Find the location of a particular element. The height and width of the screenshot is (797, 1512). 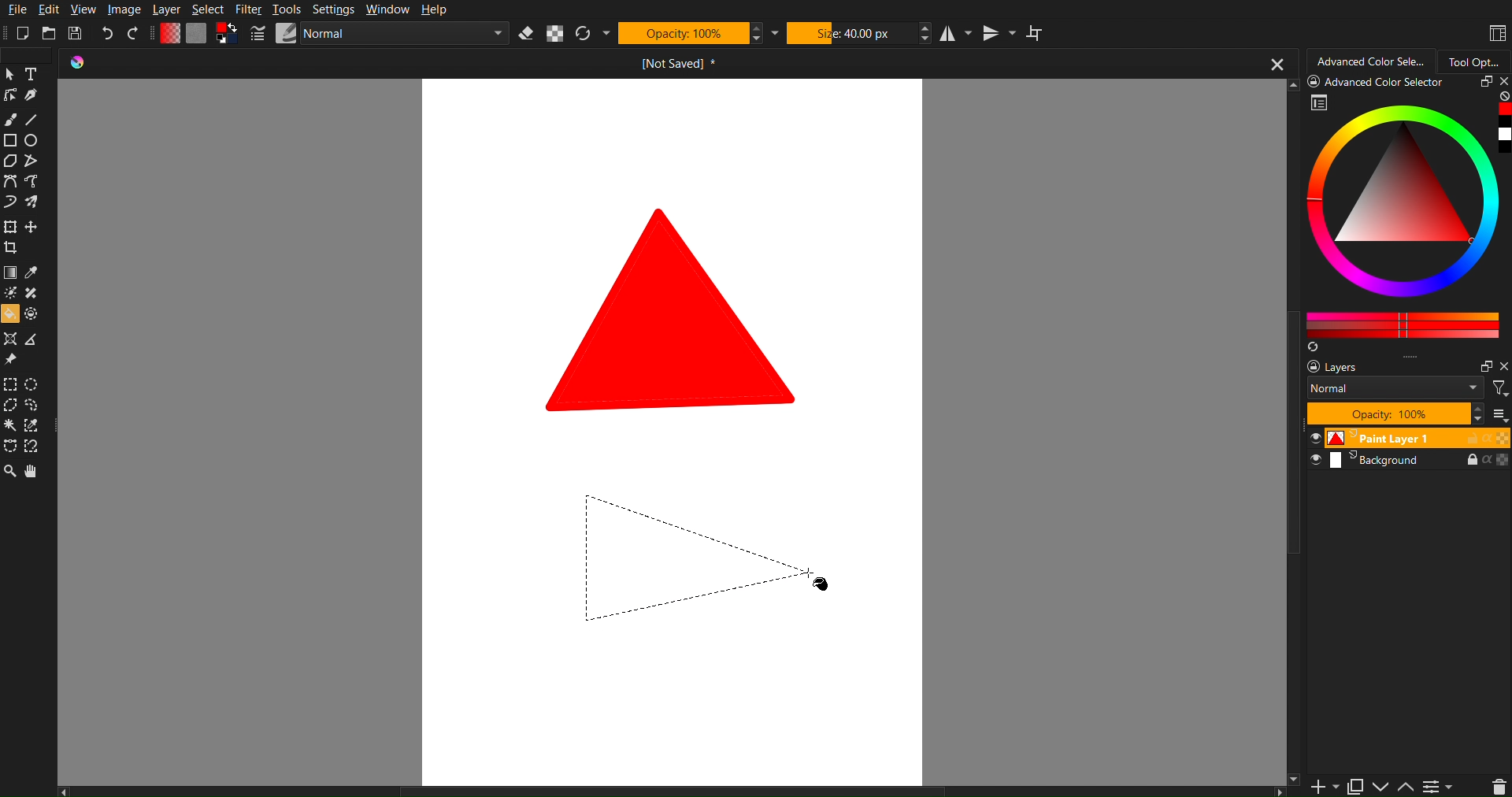

Free shape is located at coordinates (34, 183).